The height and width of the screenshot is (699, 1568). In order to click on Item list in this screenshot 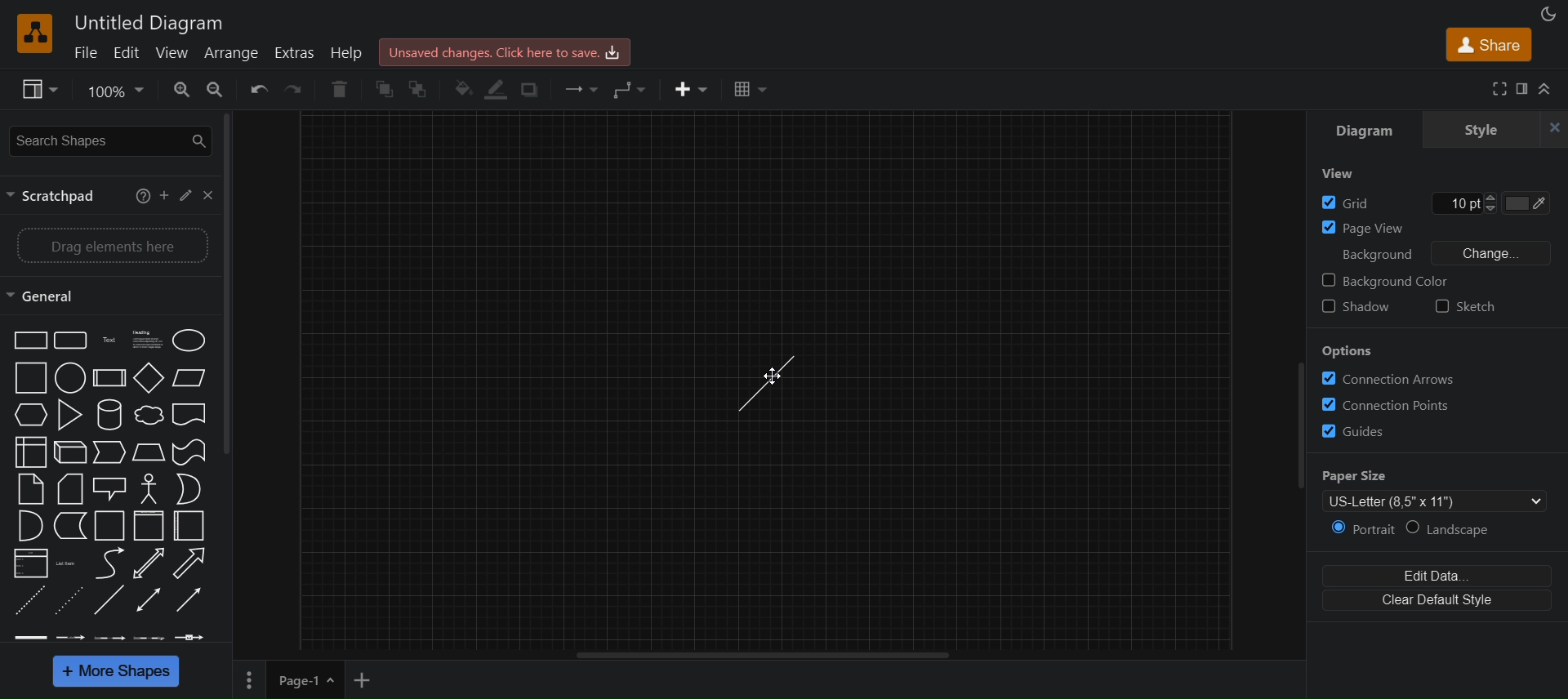, I will do `click(68, 563)`.